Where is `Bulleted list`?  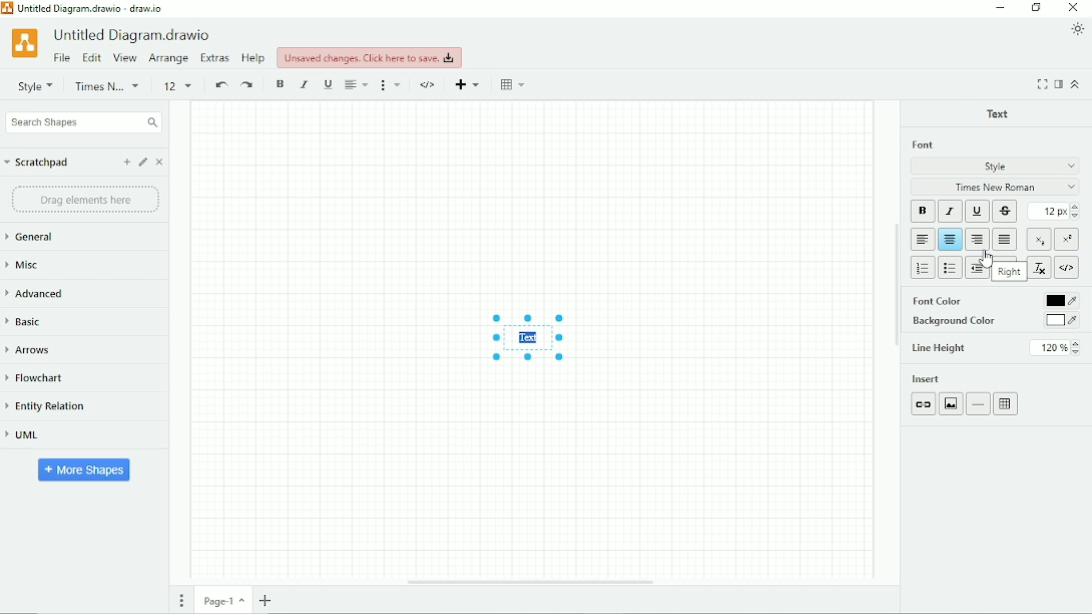
Bulleted list is located at coordinates (951, 268).